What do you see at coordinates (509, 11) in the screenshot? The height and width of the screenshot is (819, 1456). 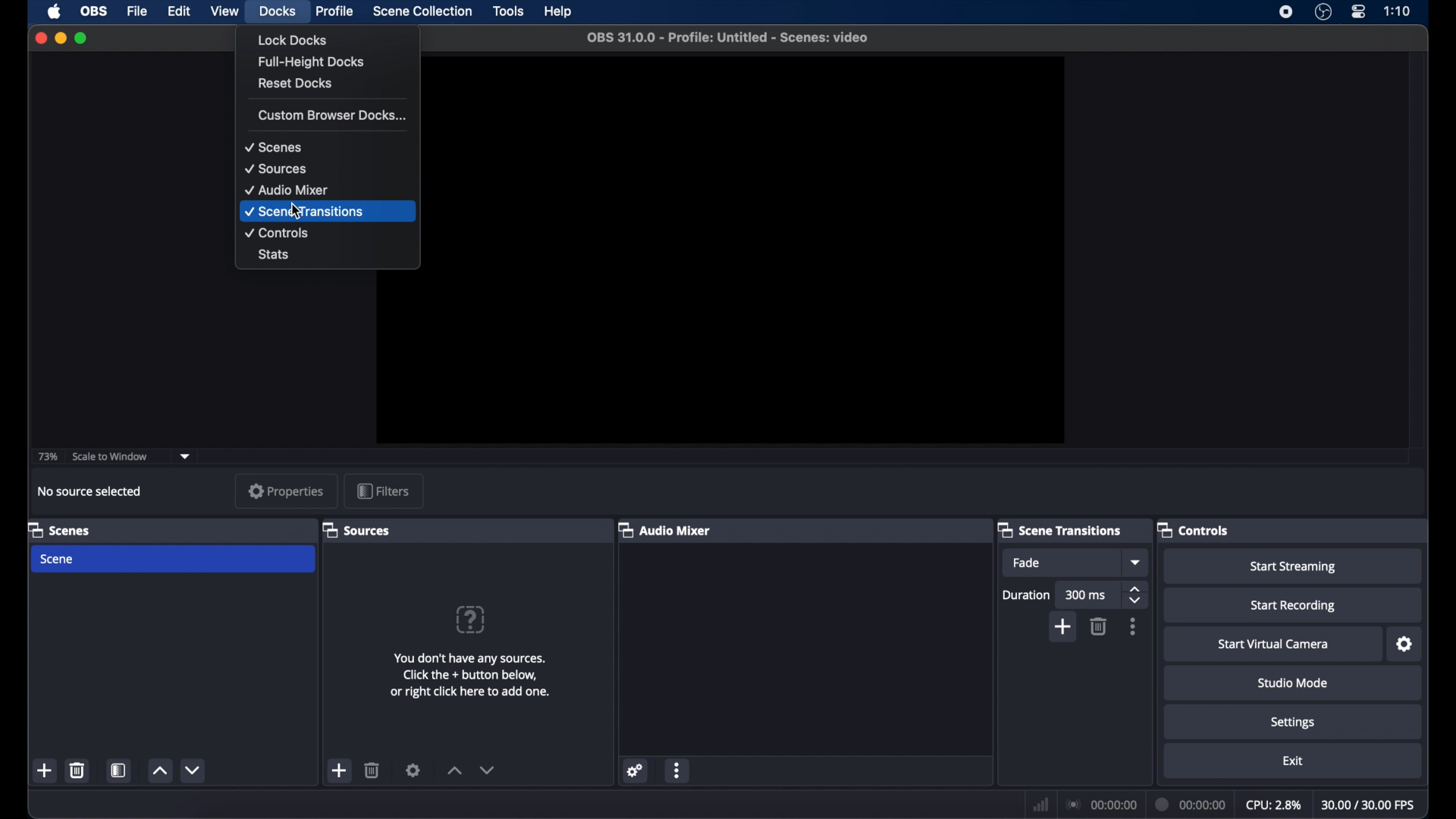 I see `tools` at bounding box center [509, 11].